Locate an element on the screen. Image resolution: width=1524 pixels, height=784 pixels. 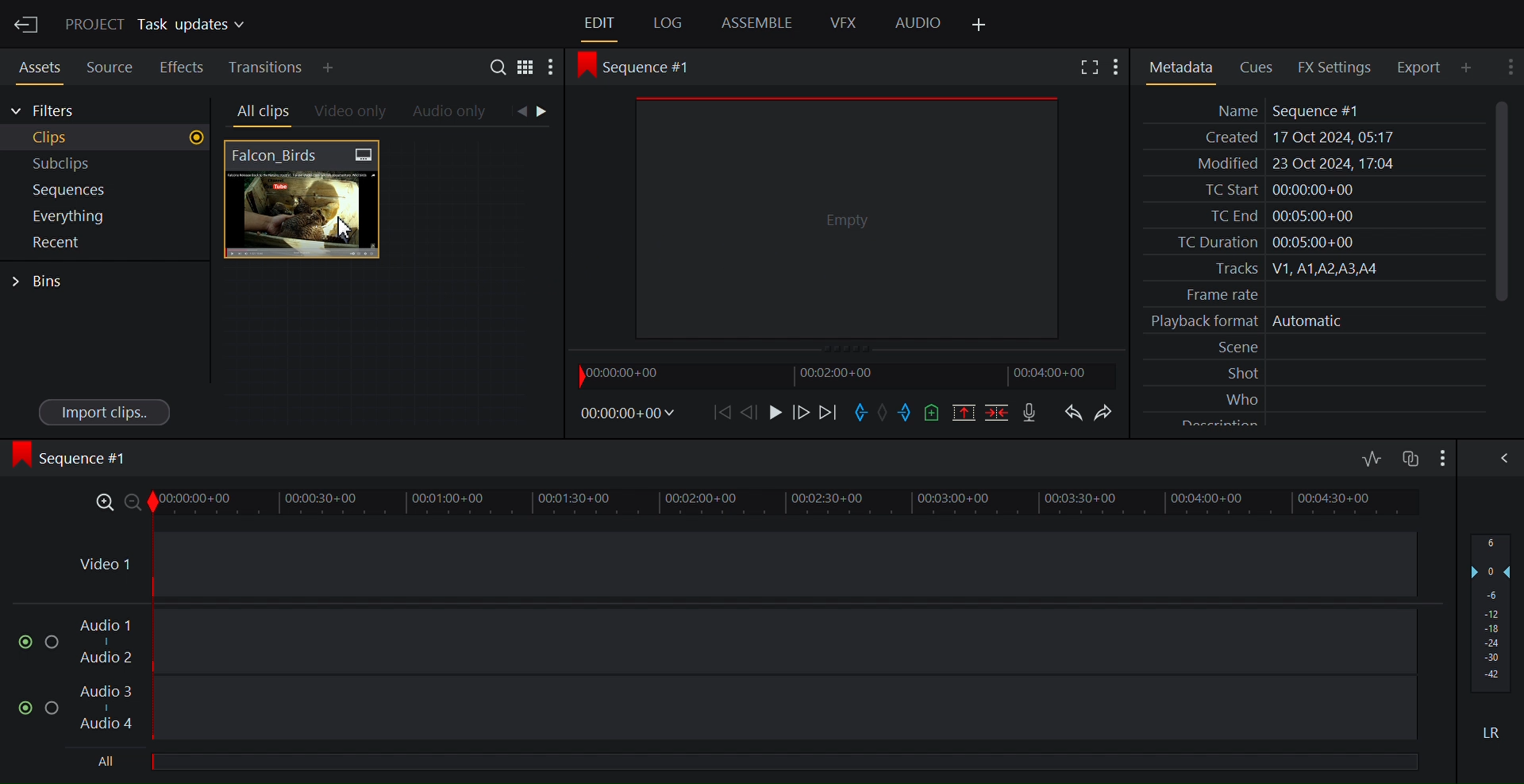
Toggle audio track sync is located at coordinates (1409, 459).